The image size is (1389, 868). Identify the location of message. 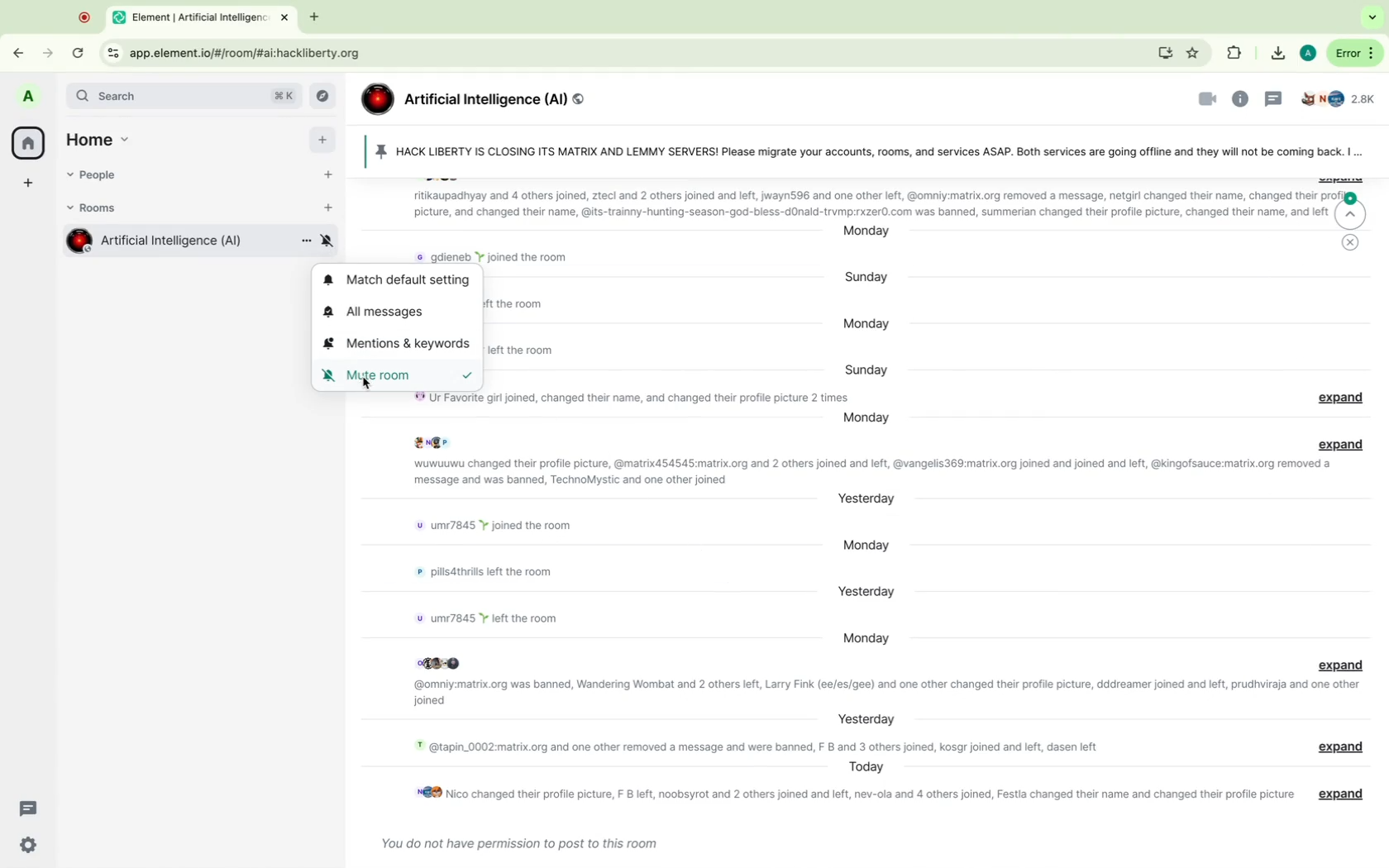
(867, 472).